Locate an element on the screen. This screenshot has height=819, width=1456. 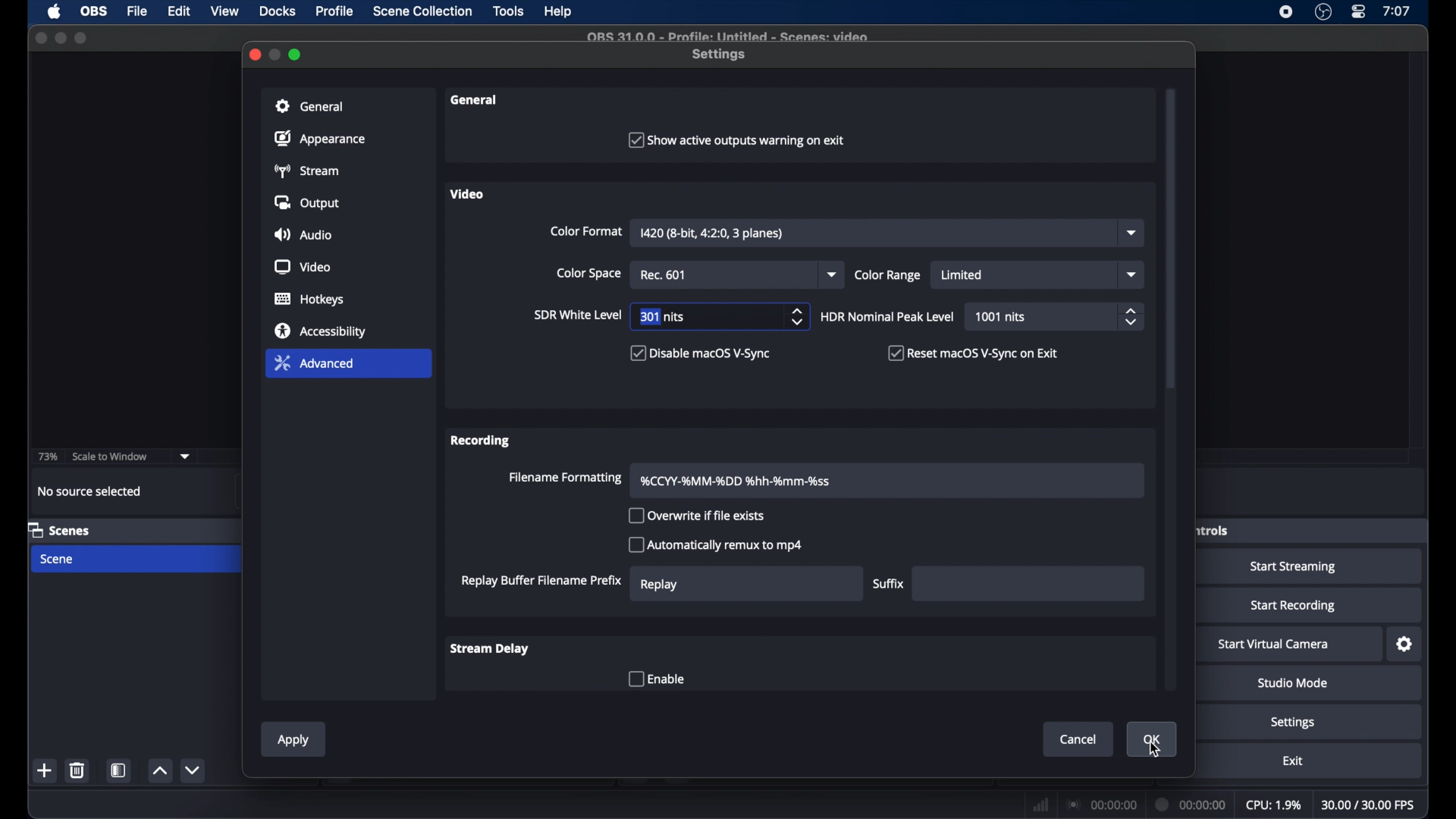
settings is located at coordinates (1293, 723).